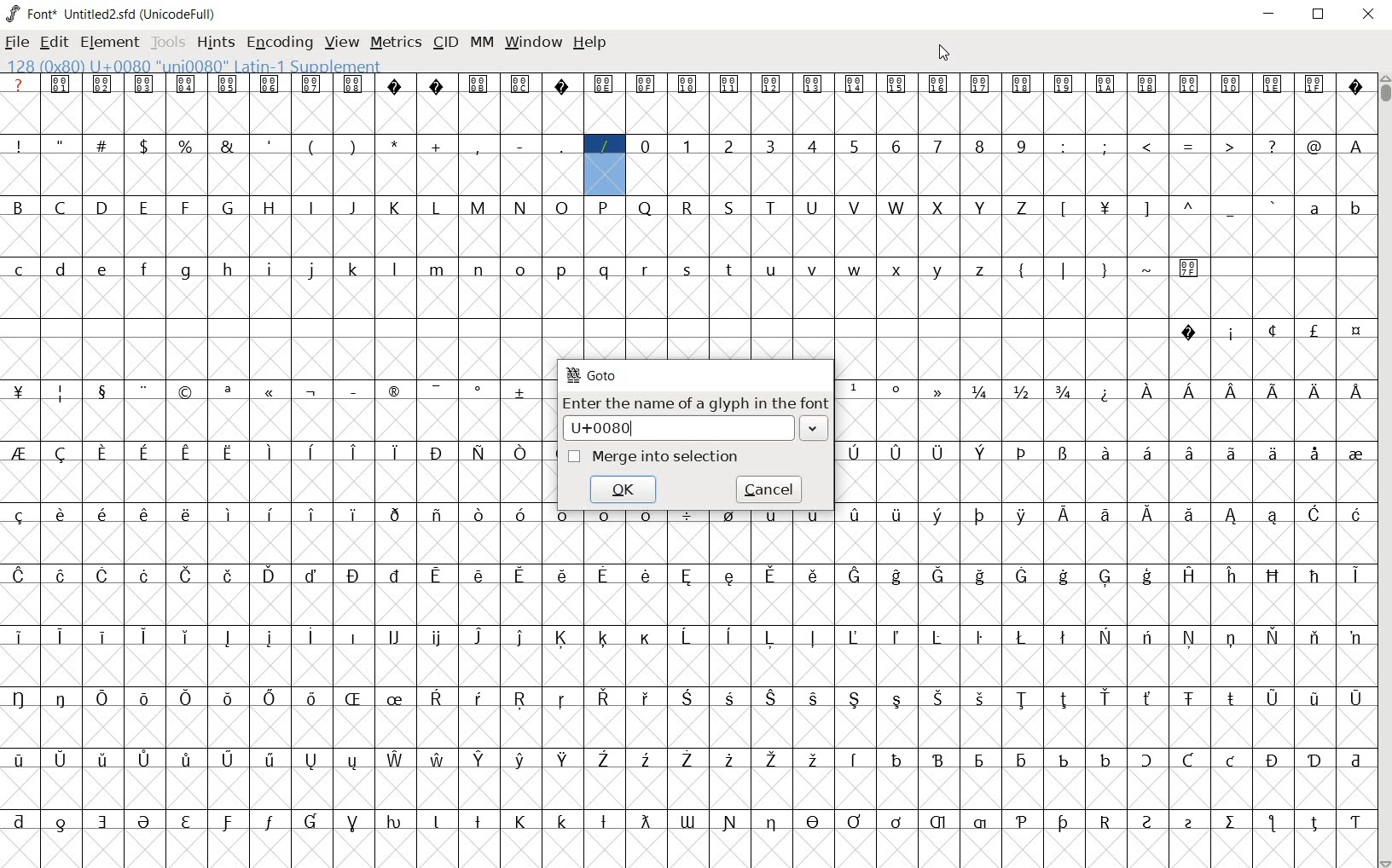 Image resolution: width=1392 pixels, height=868 pixels. I want to click on glyph, so click(815, 576).